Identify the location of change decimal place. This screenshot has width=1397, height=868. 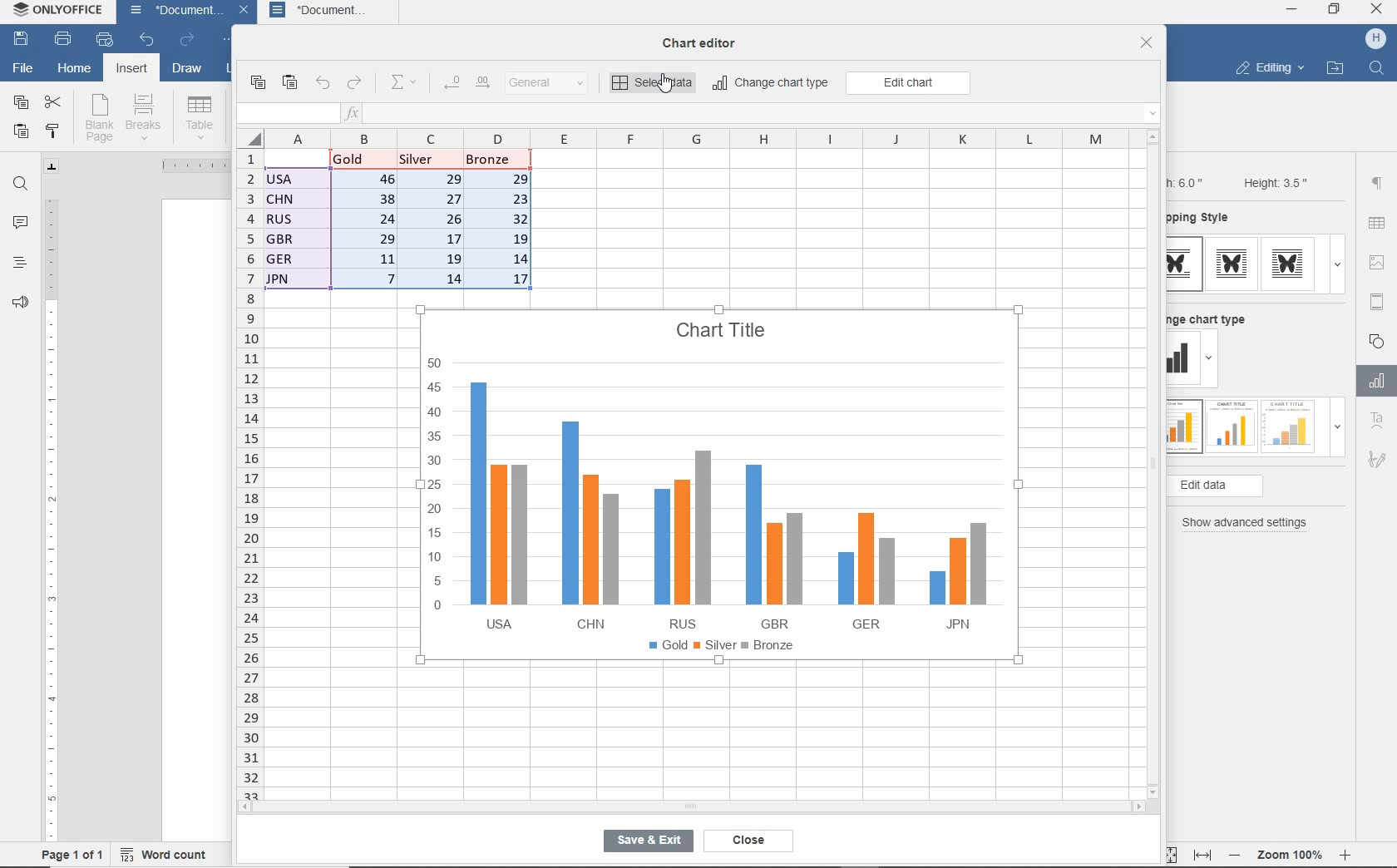
(466, 83).